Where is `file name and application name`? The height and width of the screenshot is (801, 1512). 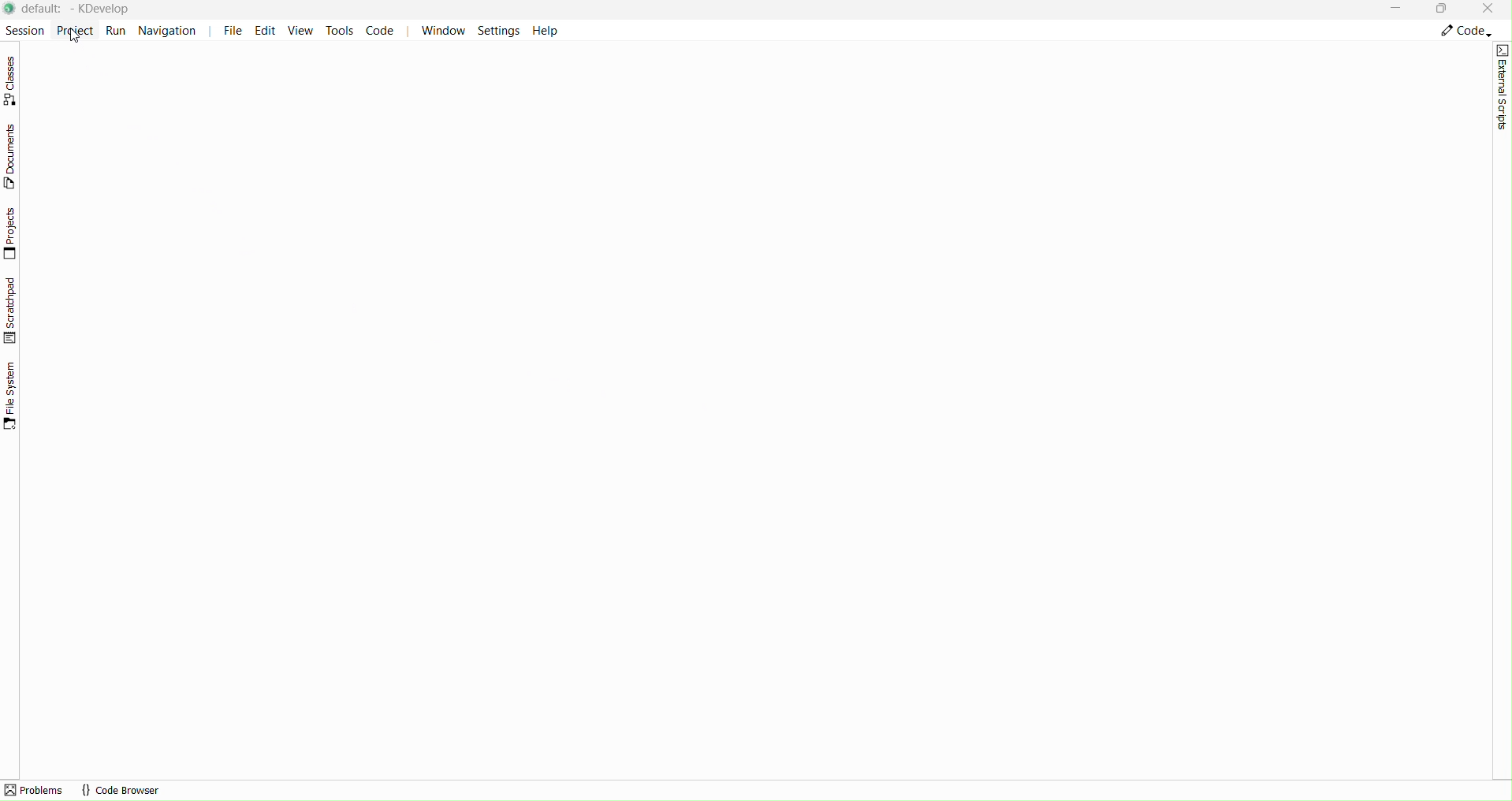
file name and application name is located at coordinates (80, 9).